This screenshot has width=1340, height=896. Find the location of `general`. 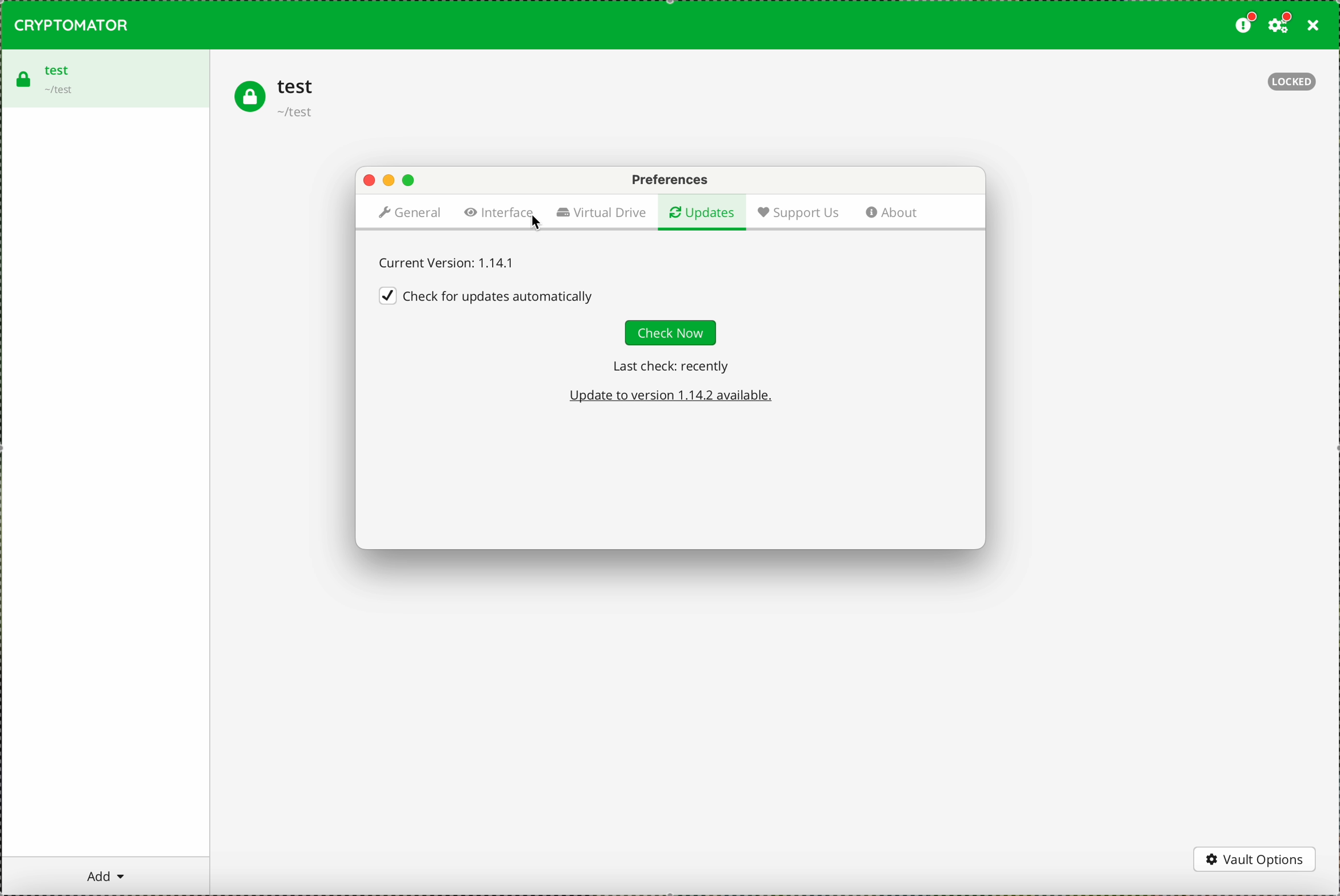

general is located at coordinates (408, 214).